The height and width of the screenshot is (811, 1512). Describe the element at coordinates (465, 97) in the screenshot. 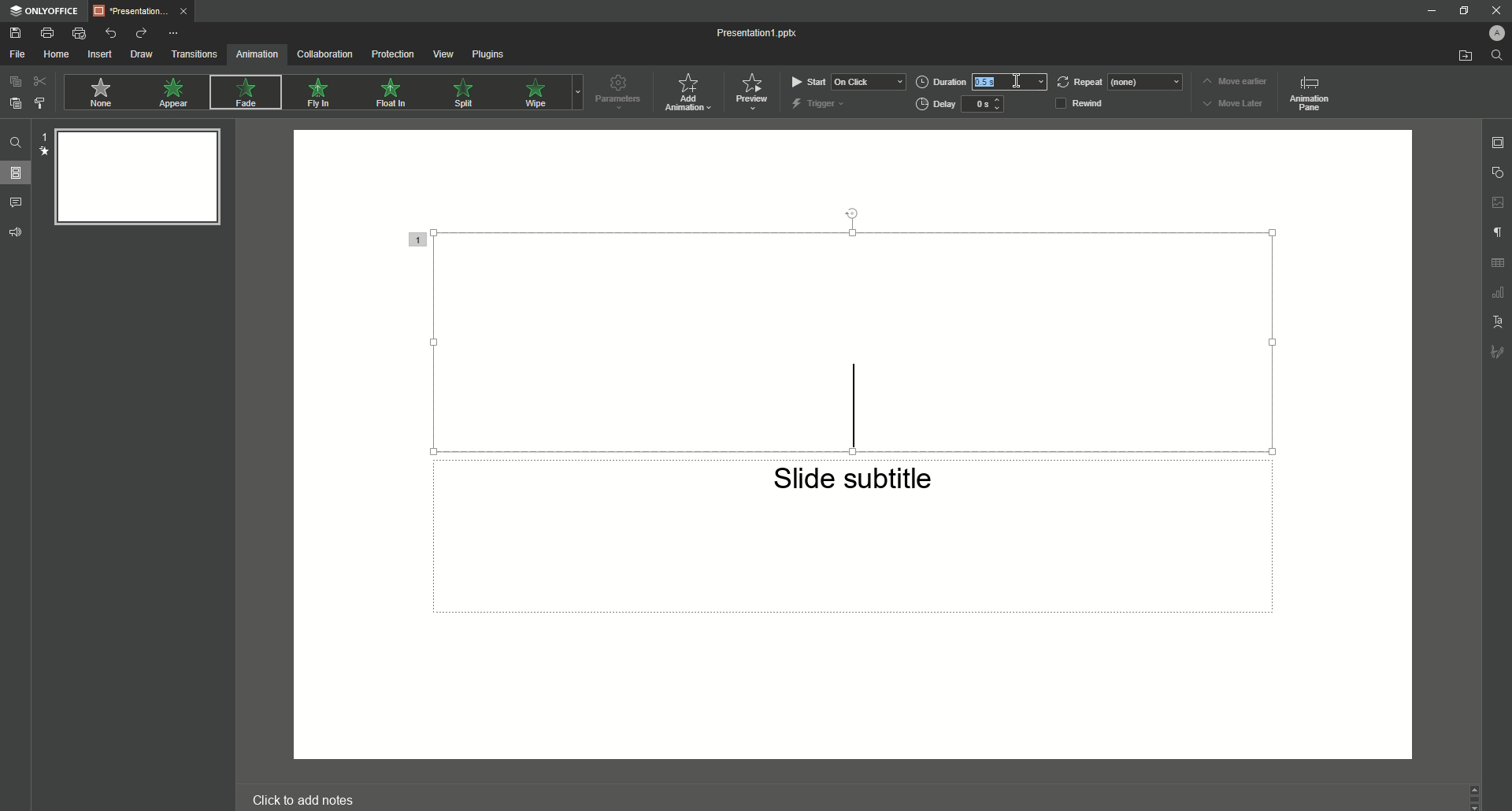

I see `Spill` at that location.